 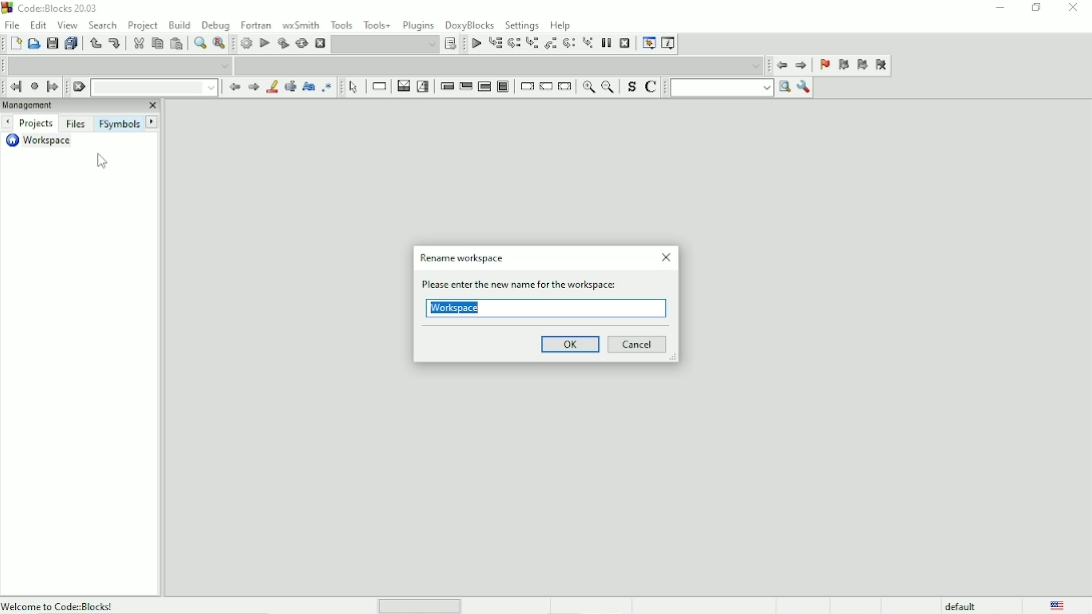 I want to click on Paste, so click(x=176, y=44).